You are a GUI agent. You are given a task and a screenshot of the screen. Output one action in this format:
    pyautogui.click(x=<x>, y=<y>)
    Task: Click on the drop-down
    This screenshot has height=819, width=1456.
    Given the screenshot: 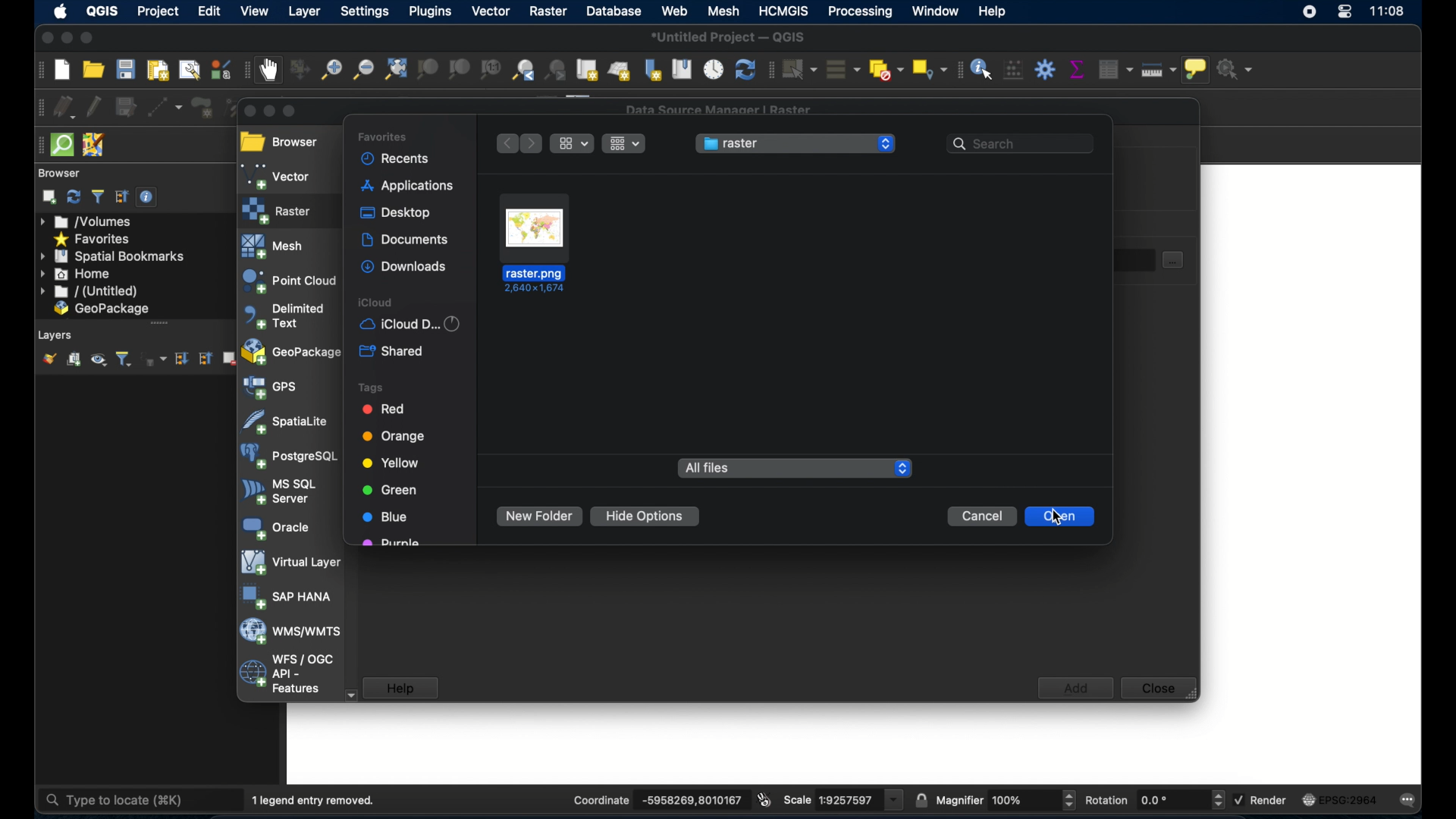 What is the action you would take?
    pyautogui.click(x=627, y=143)
    